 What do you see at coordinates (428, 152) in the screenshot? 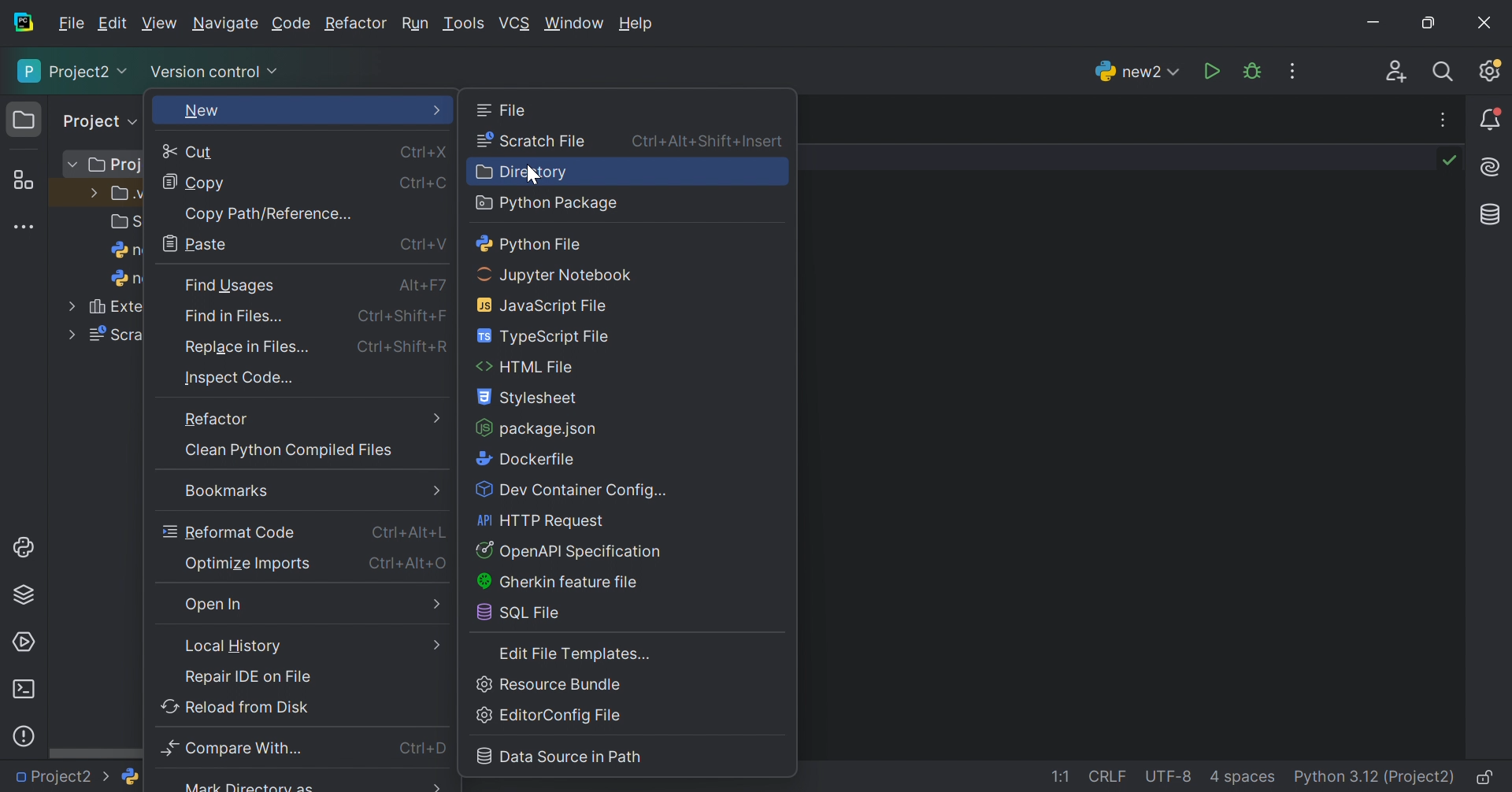
I see `Ctrl+X` at bounding box center [428, 152].